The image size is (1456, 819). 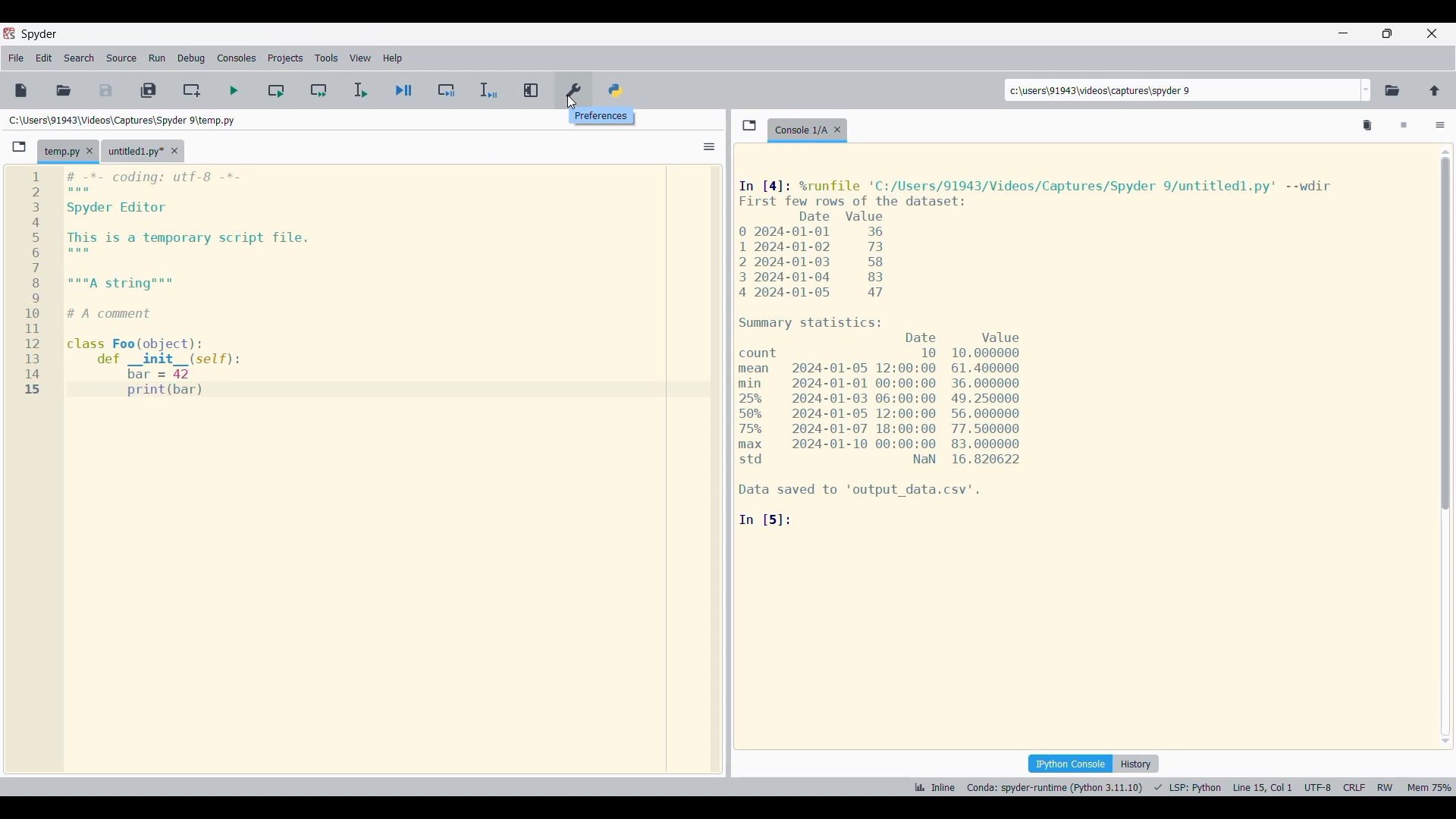 What do you see at coordinates (340, 284) in the screenshot?
I see `Current code` at bounding box center [340, 284].